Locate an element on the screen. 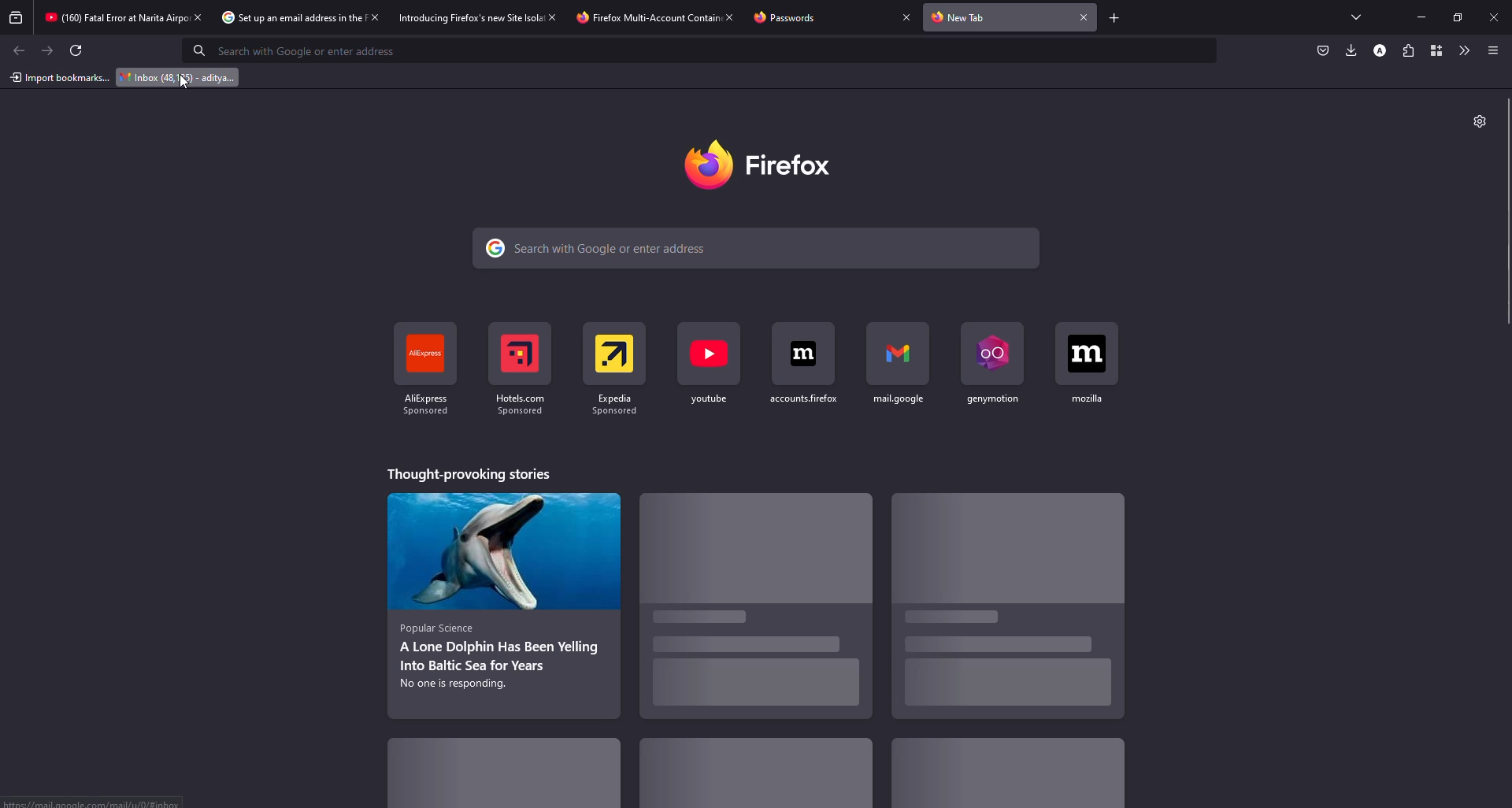 The width and height of the screenshot is (1512, 808). search is located at coordinates (298, 50).